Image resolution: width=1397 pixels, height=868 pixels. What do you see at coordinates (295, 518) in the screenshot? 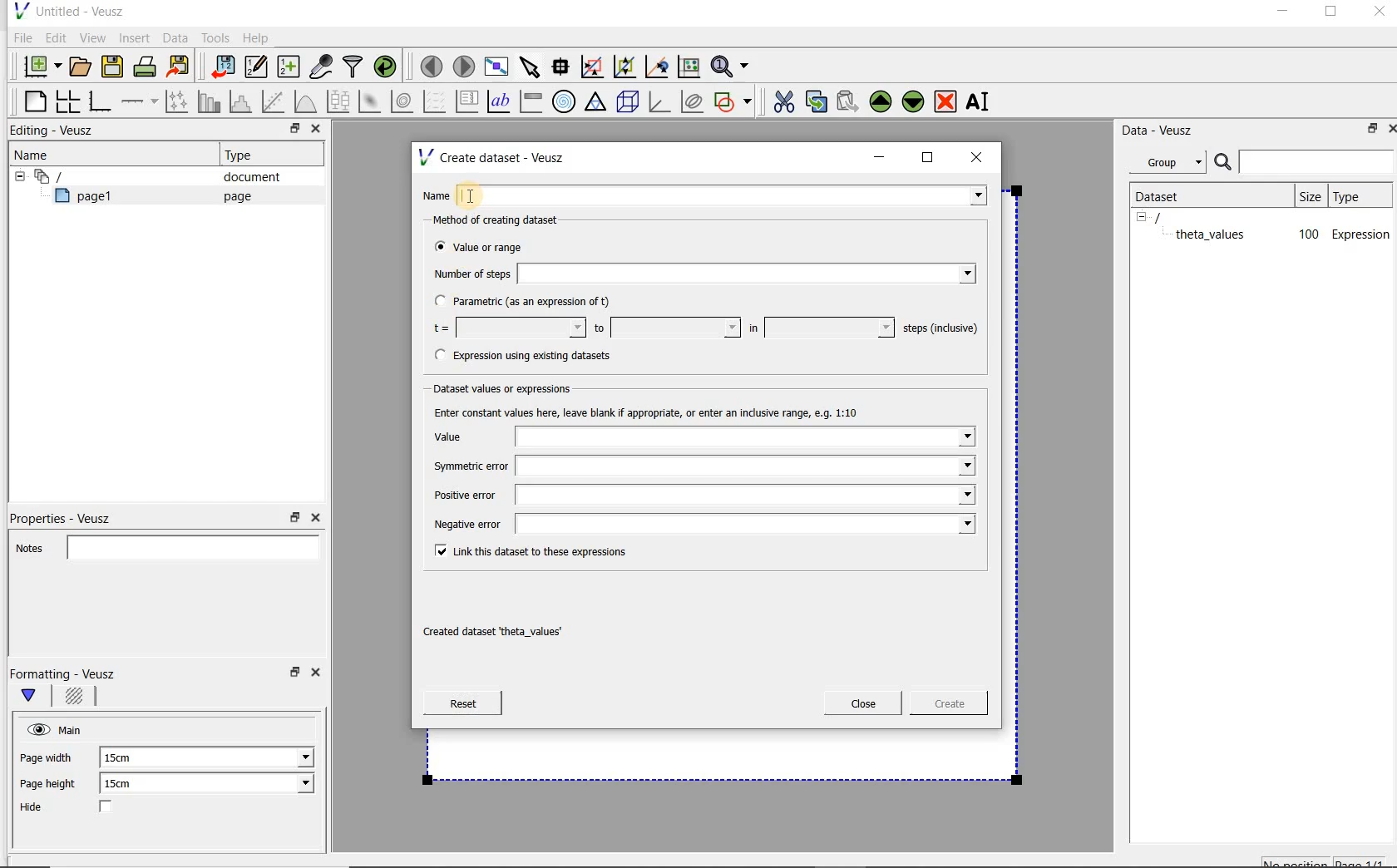
I see `restore down` at bounding box center [295, 518].